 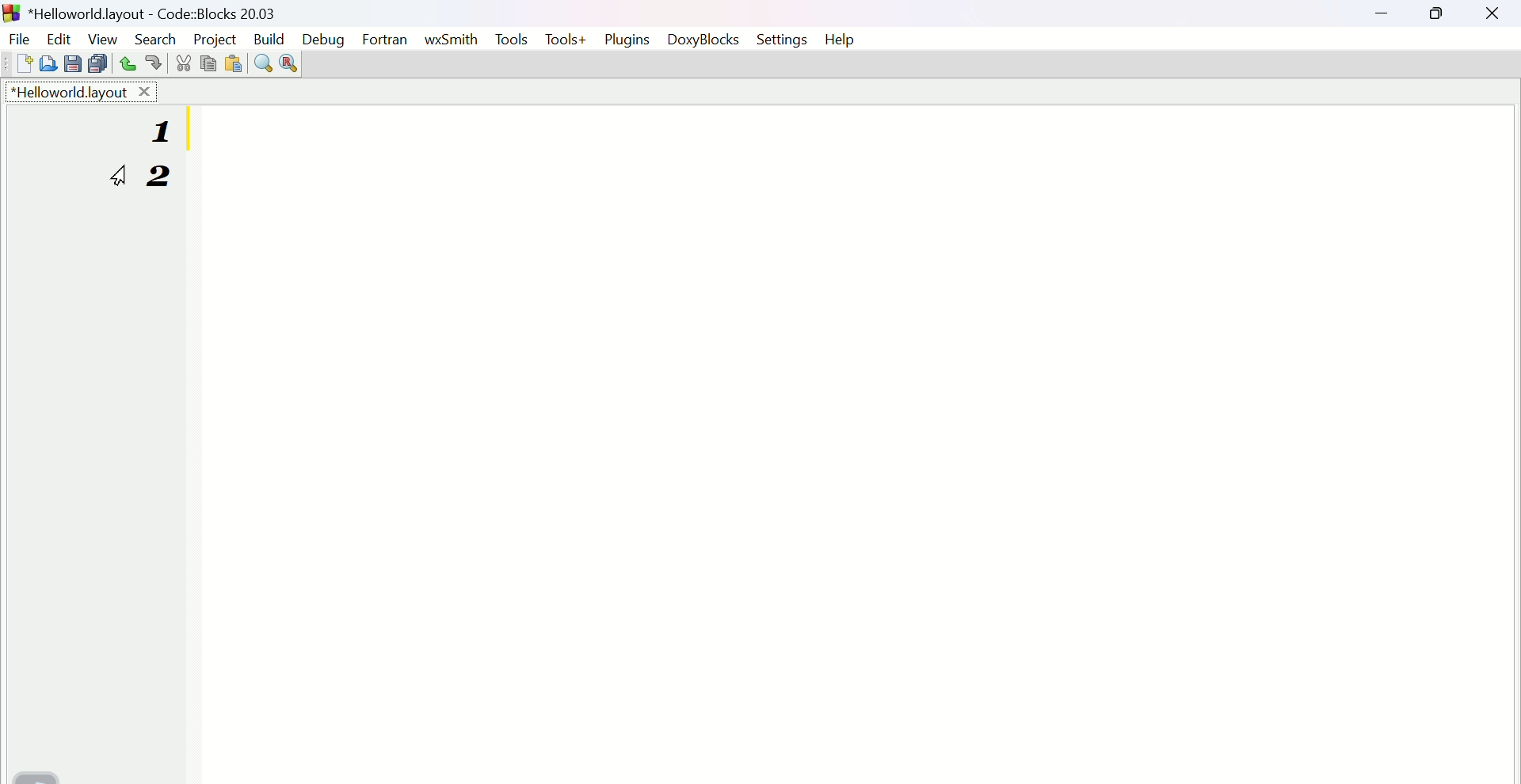 What do you see at coordinates (98, 36) in the screenshot?
I see `View` at bounding box center [98, 36].